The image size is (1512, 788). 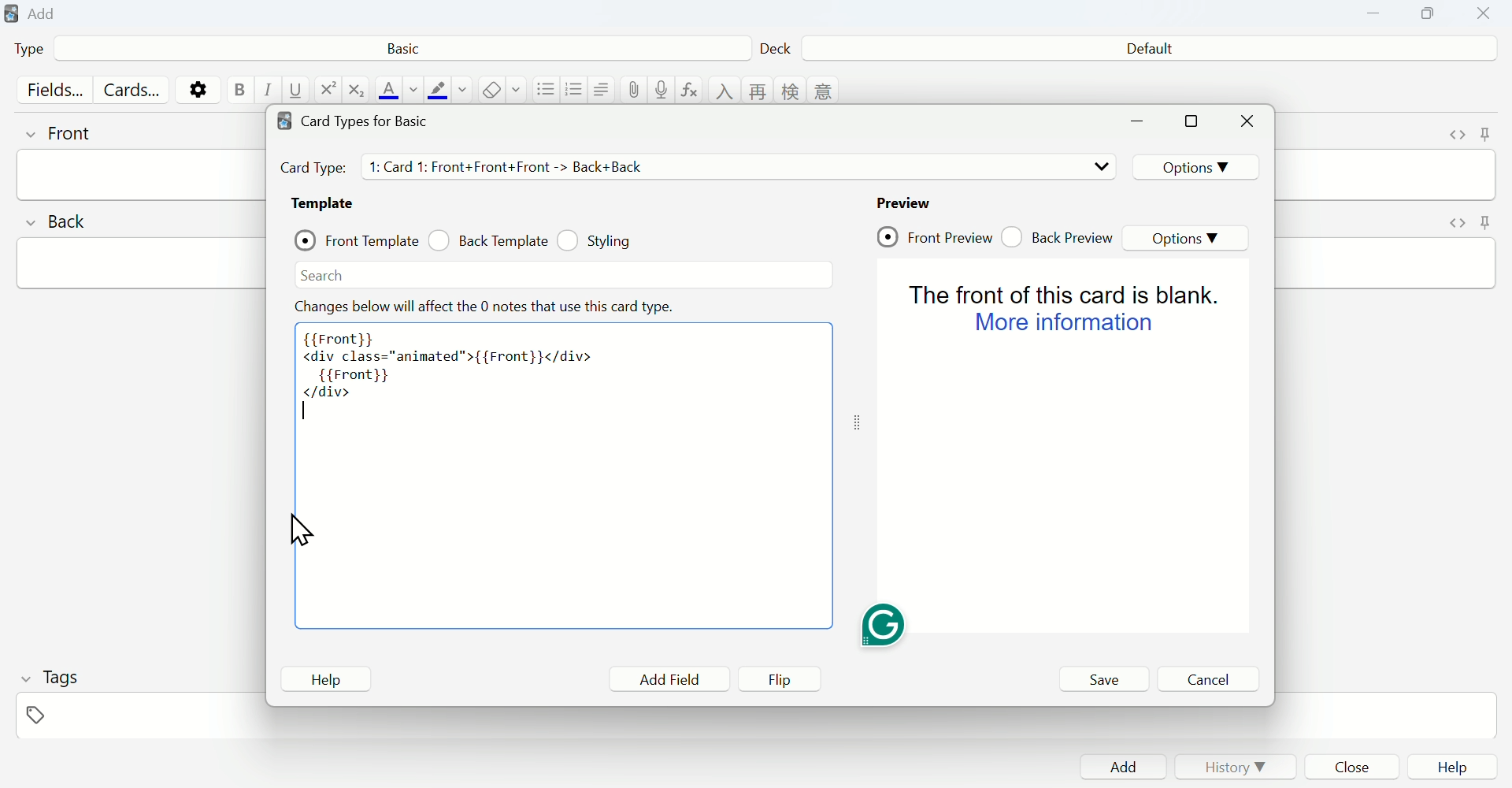 I want to click on superscript, so click(x=328, y=90).